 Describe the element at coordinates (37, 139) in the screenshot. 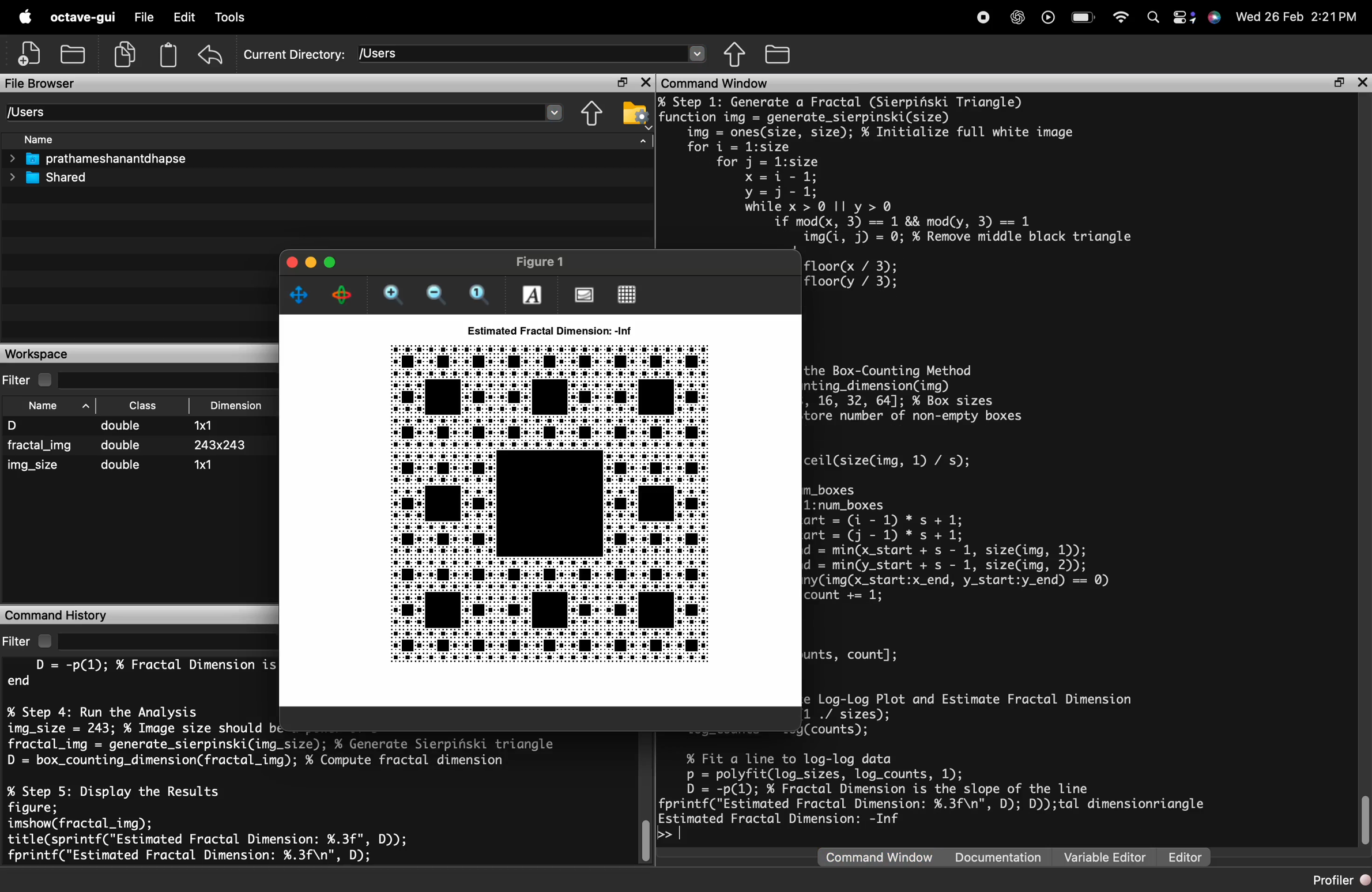

I see `Name` at that location.